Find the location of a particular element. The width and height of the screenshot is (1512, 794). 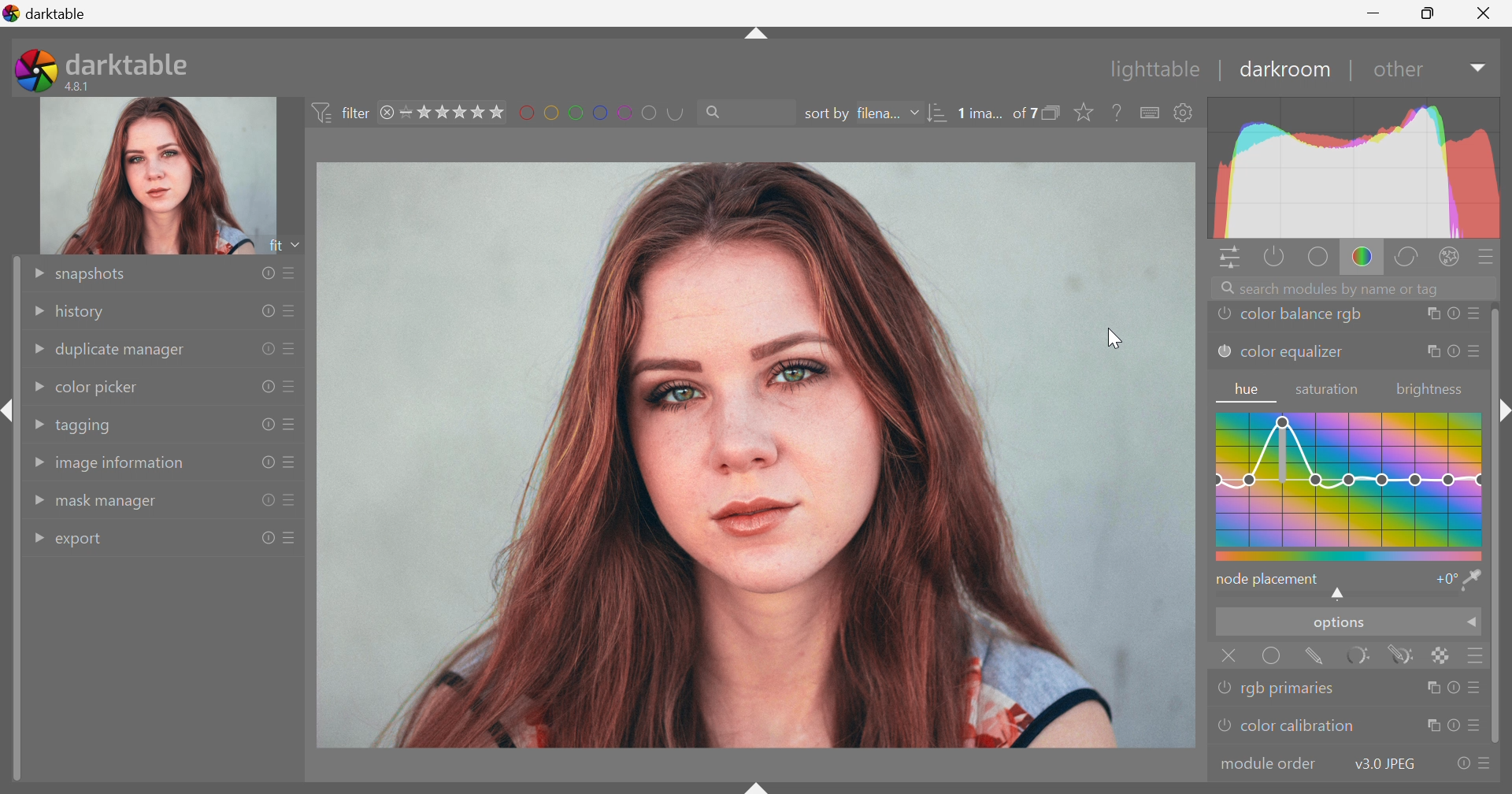

| is located at coordinates (1221, 69).